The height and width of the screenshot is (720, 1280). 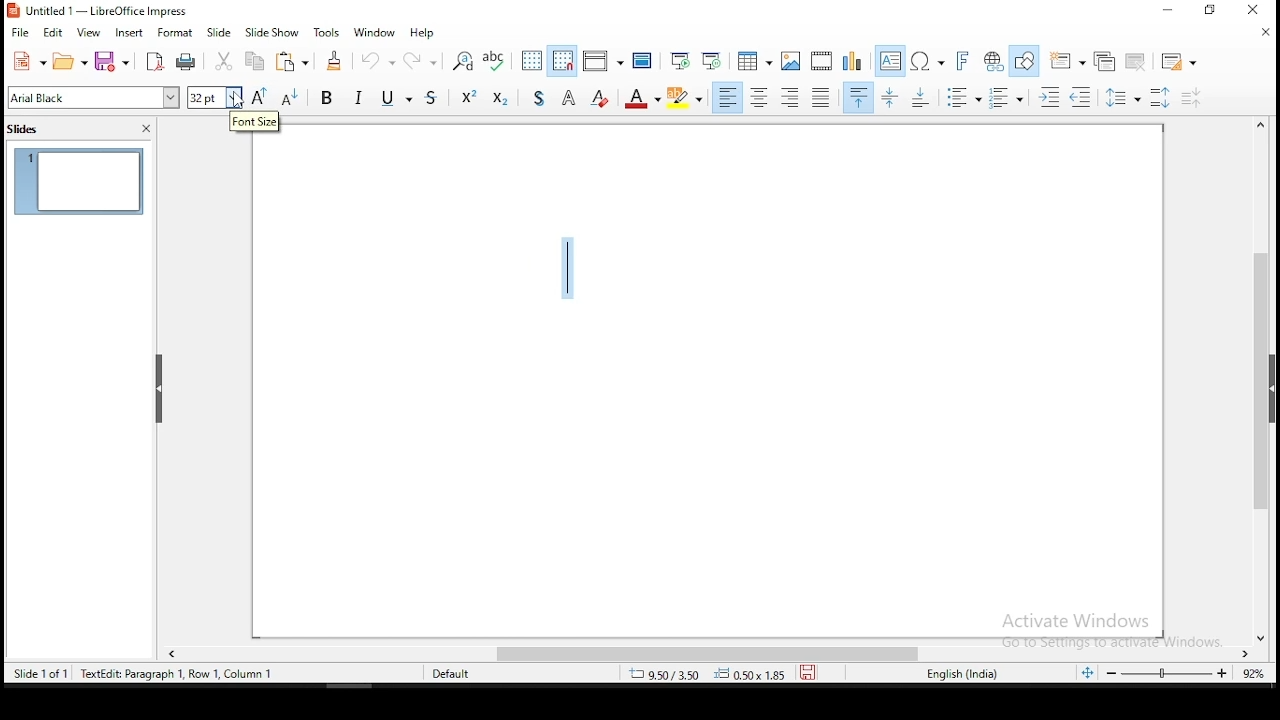 I want to click on Space below paragraph, so click(x=859, y=97).